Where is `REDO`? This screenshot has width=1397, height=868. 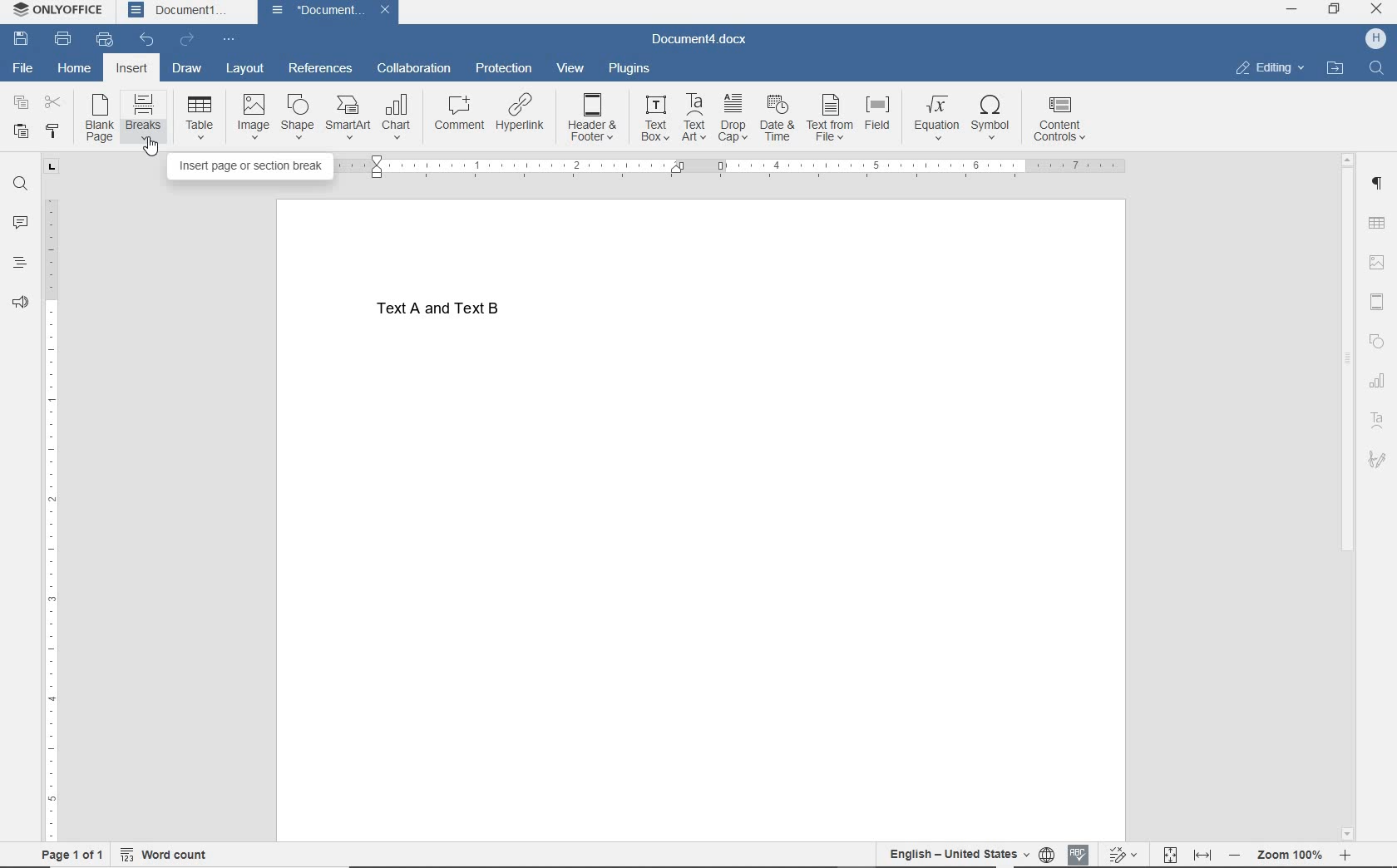
REDO is located at coordinates (190, 40).